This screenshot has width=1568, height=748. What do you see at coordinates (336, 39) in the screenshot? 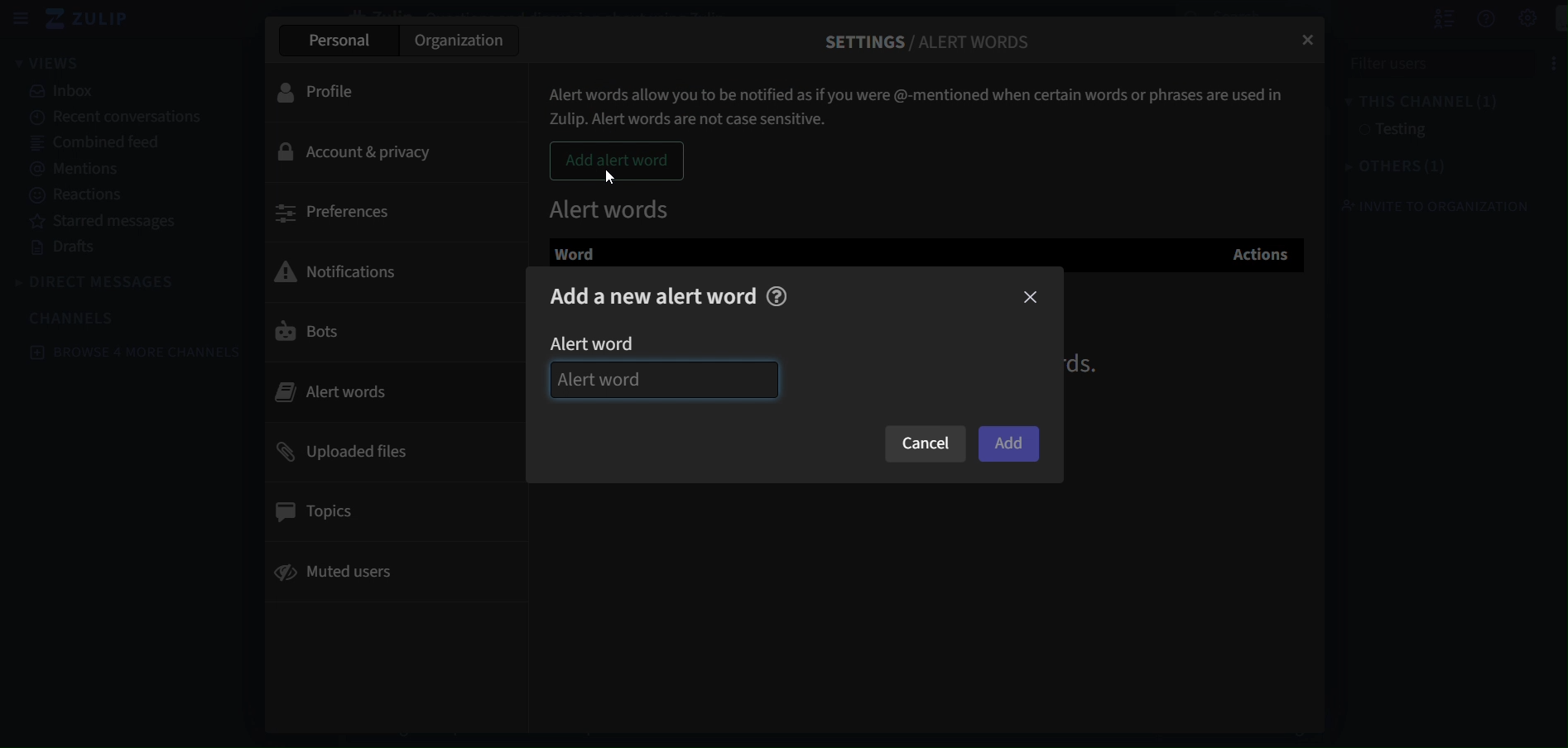
I see `personal` at bounding box center [336, 39].